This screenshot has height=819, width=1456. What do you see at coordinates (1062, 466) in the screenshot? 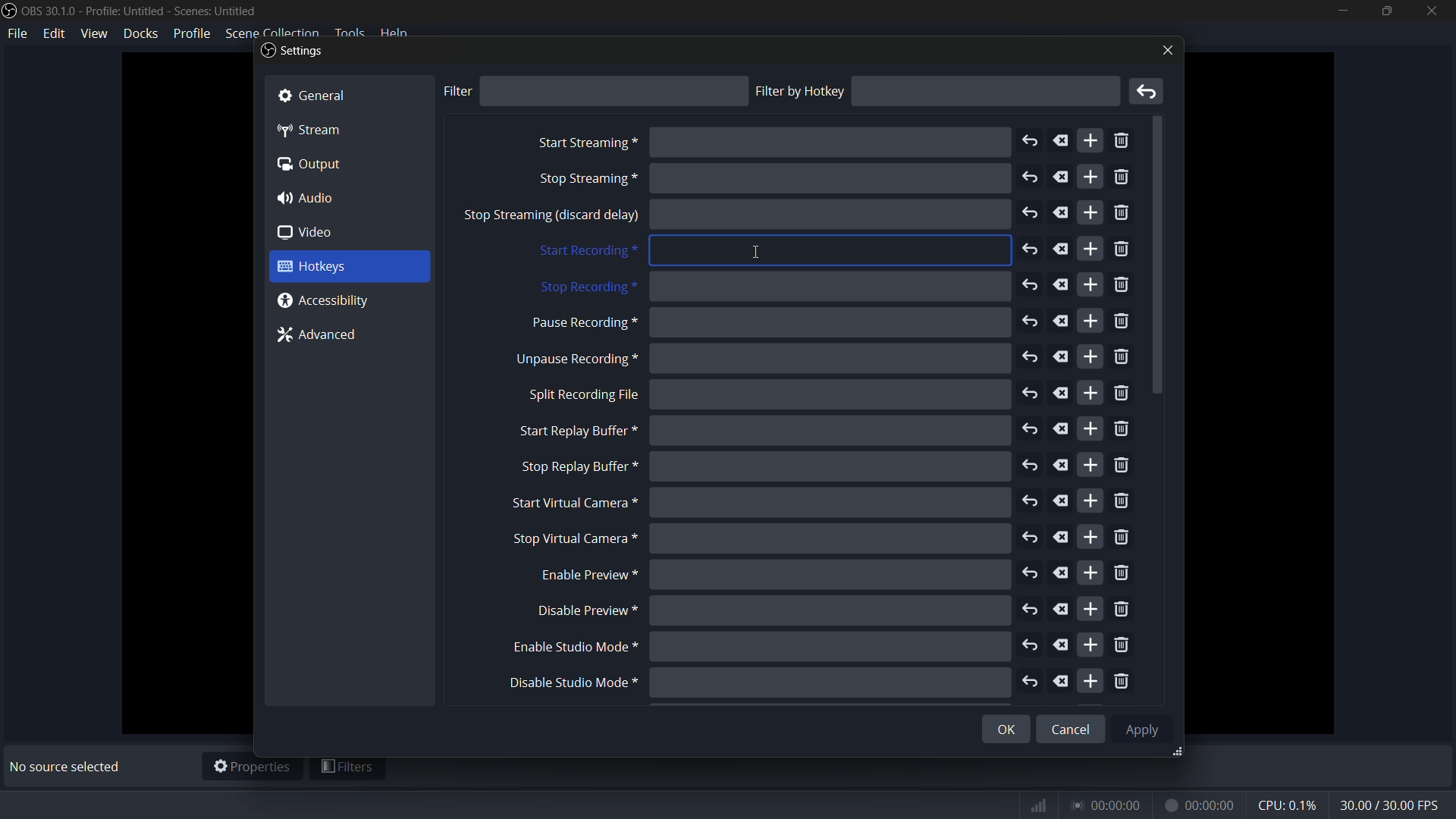
I see `delete` at bounding box center [1062, 466].